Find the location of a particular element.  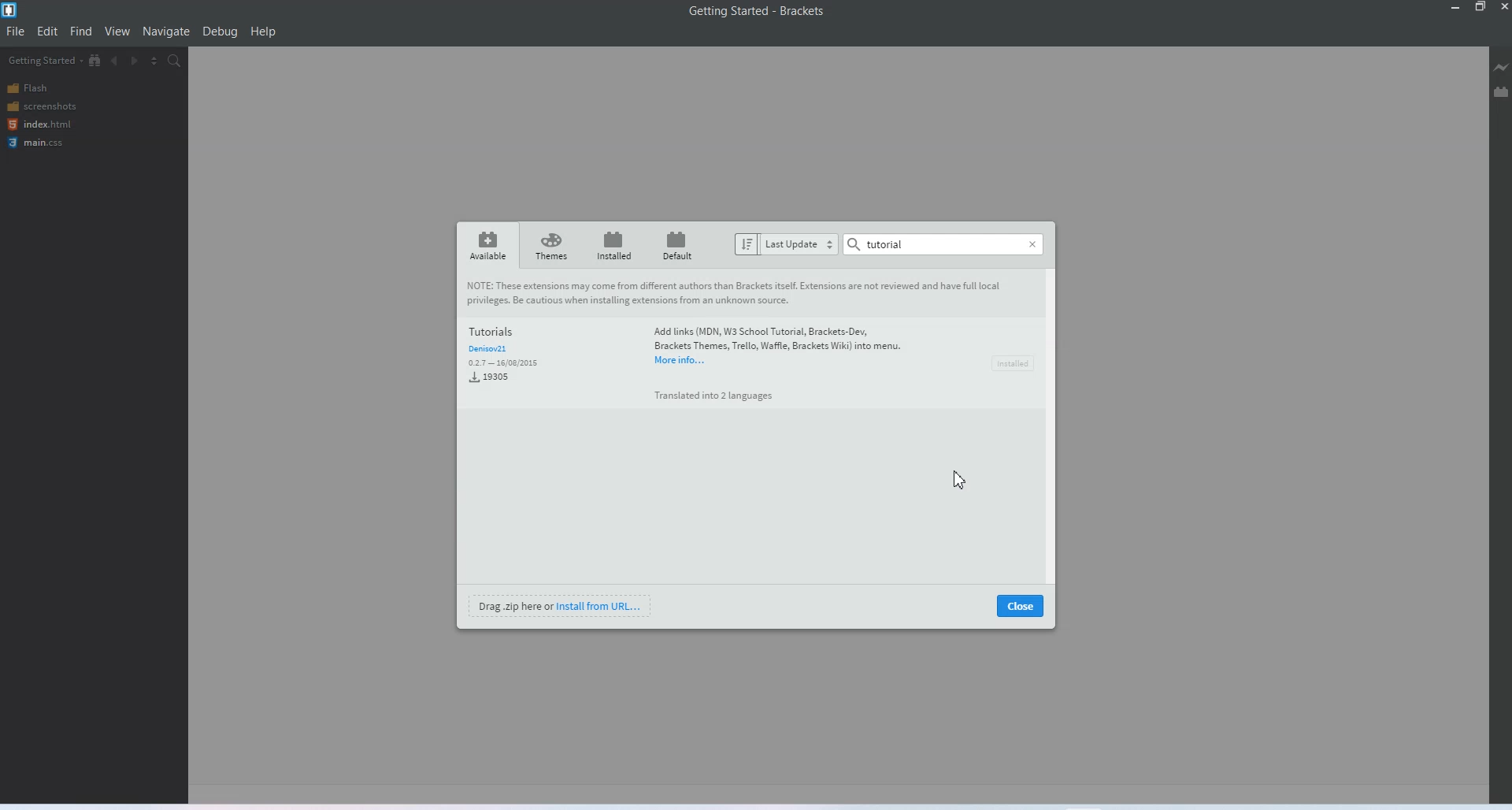

Screenshots is located at coordinates (43, 106).